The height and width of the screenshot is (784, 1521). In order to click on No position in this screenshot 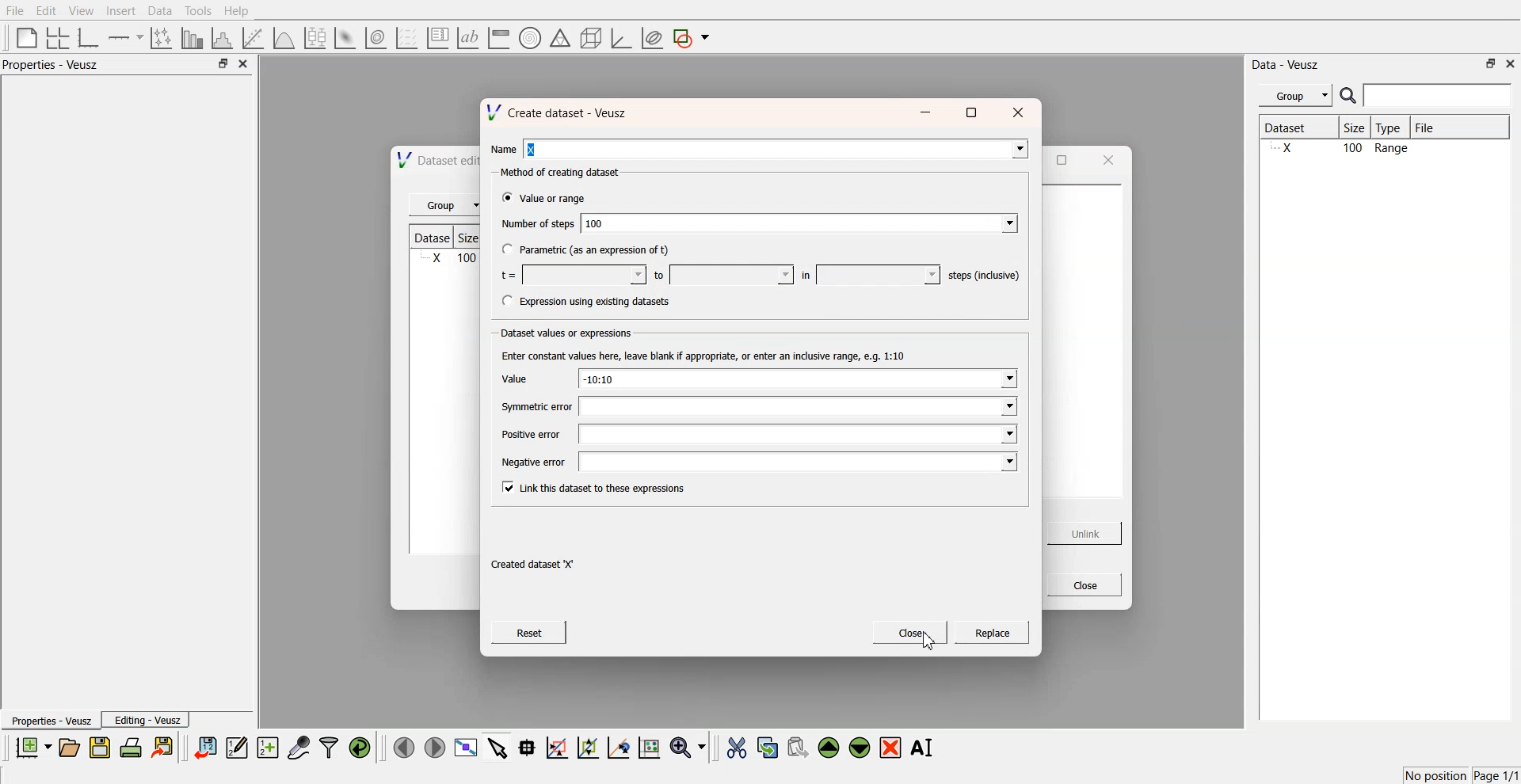, I will do `click(1438, 774)`.